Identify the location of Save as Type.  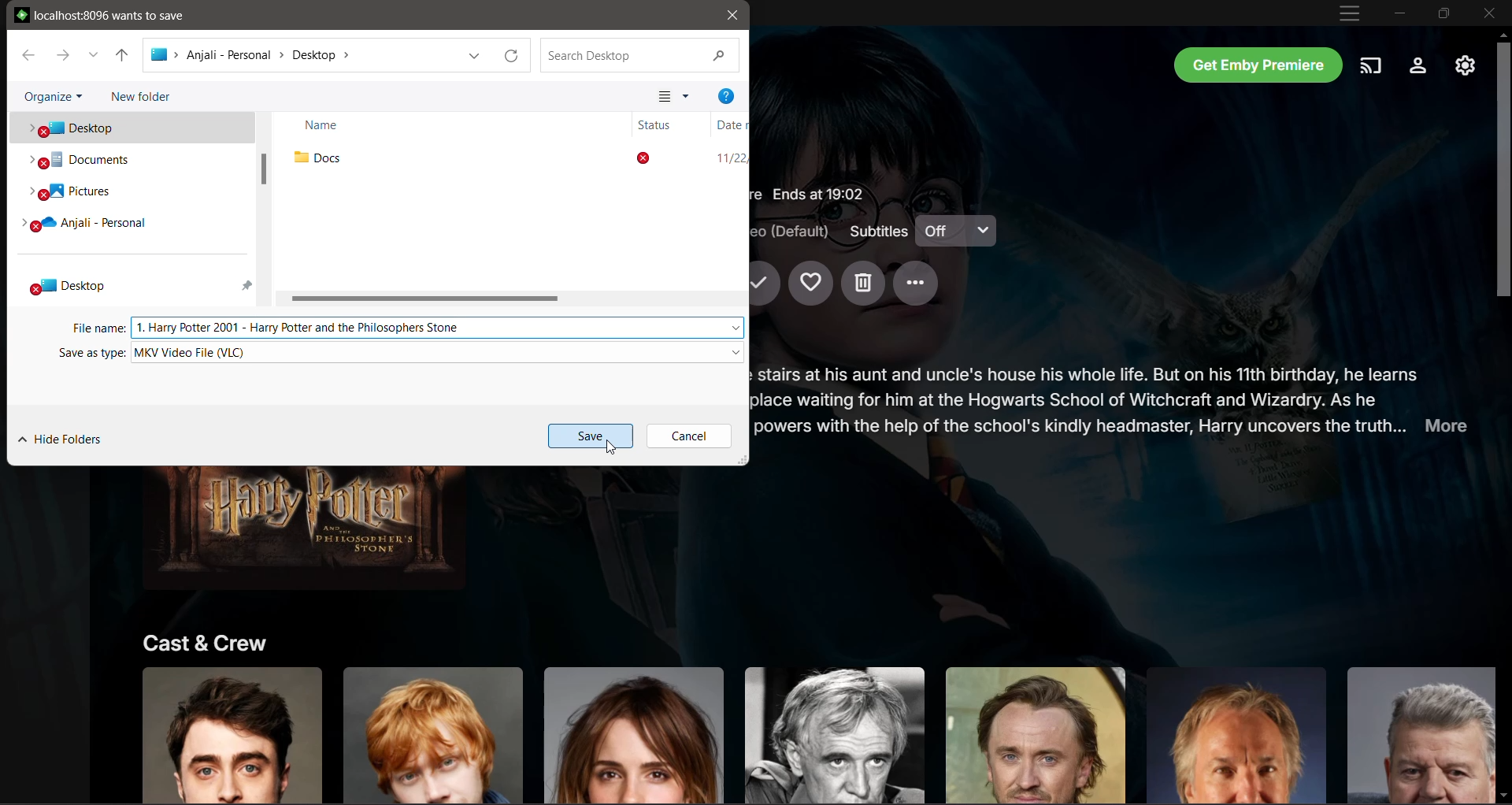
(91, 354).